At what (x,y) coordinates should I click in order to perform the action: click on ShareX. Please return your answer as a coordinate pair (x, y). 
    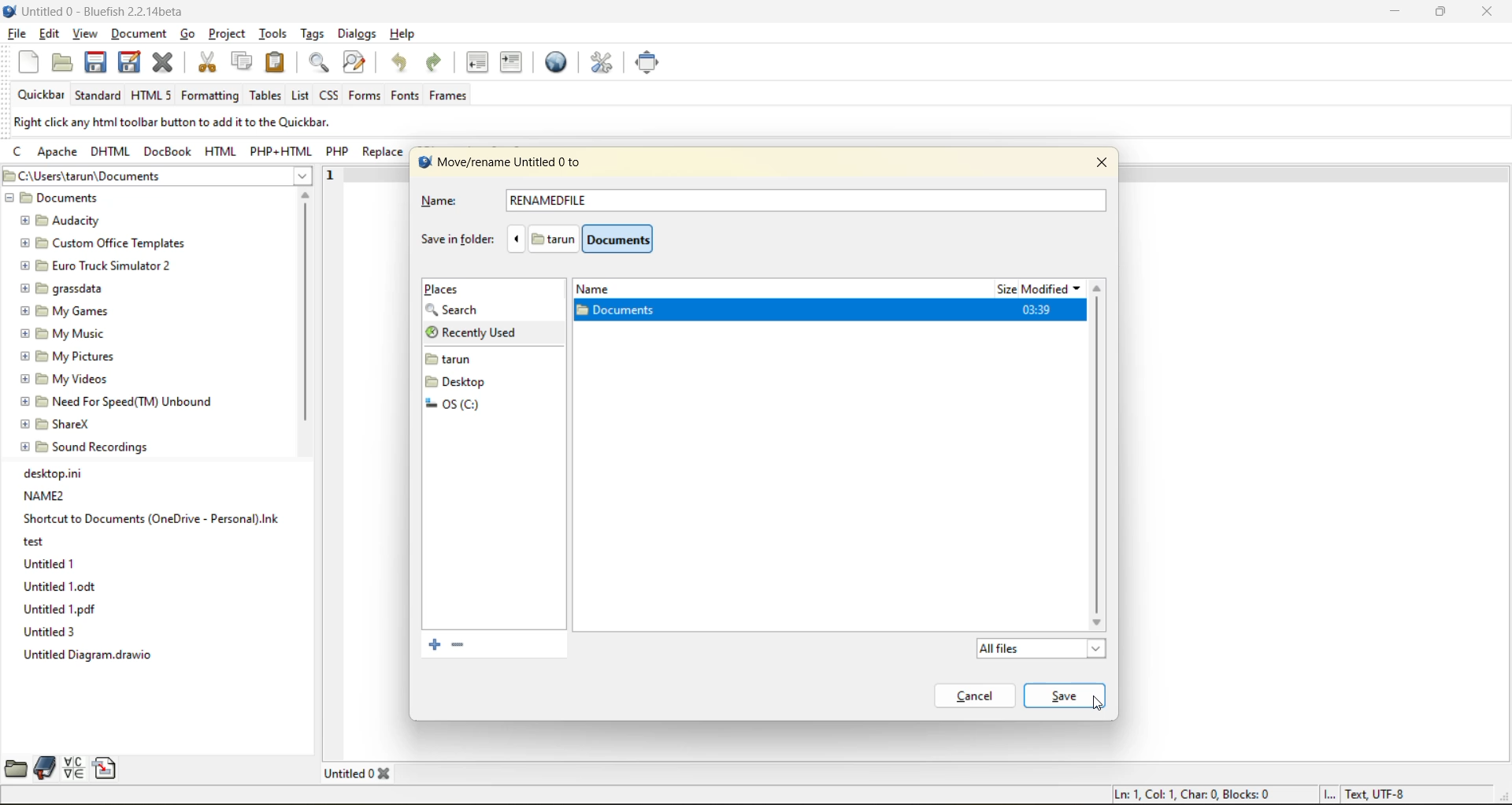
    Looking at the image, I should click on (56, 423).